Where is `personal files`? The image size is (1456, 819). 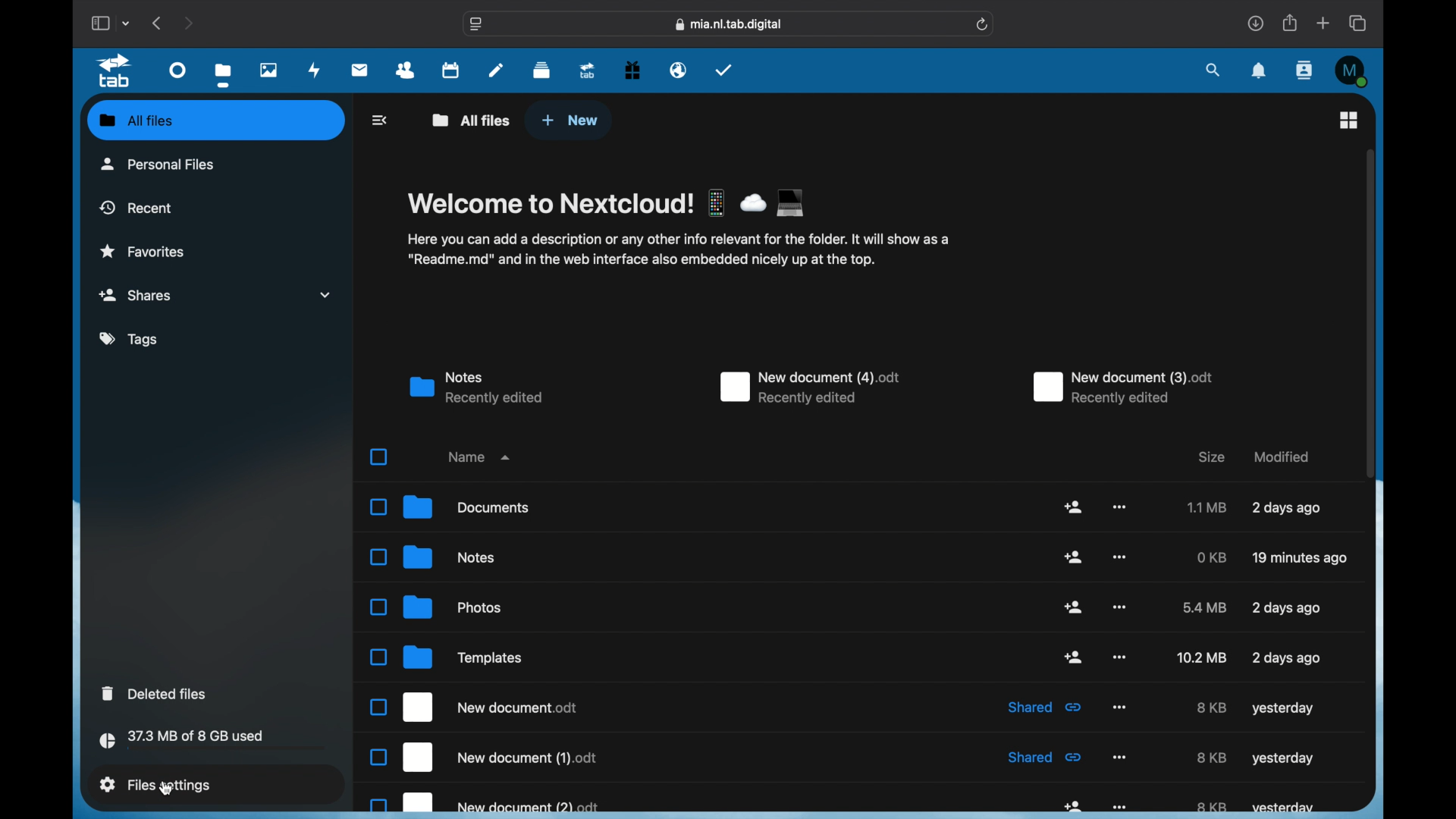 personal files is located at coordinates (158, 163).